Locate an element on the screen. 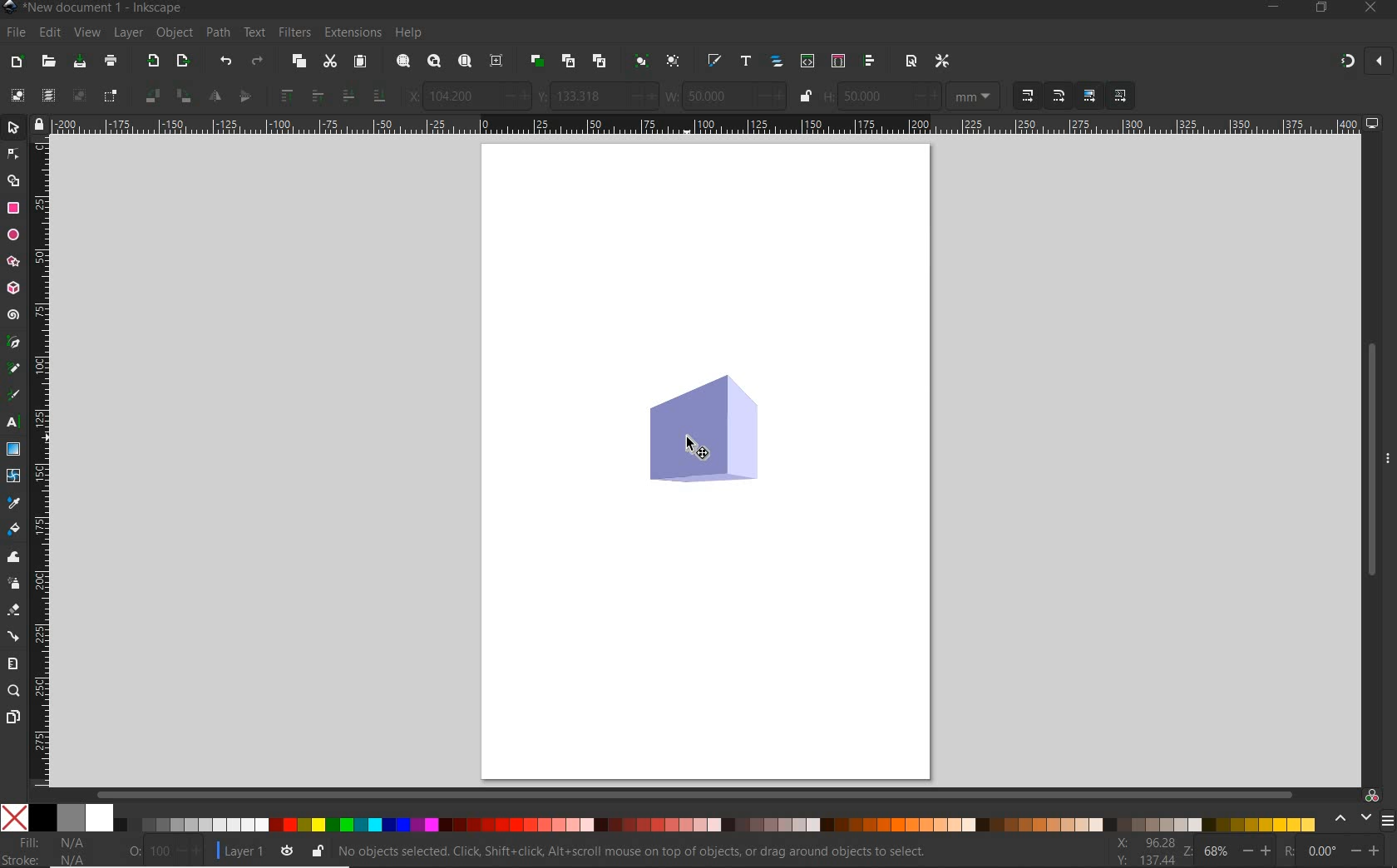 This screenshot has width=1397, height=868. zoom selection is located at coordinates (402, 61).